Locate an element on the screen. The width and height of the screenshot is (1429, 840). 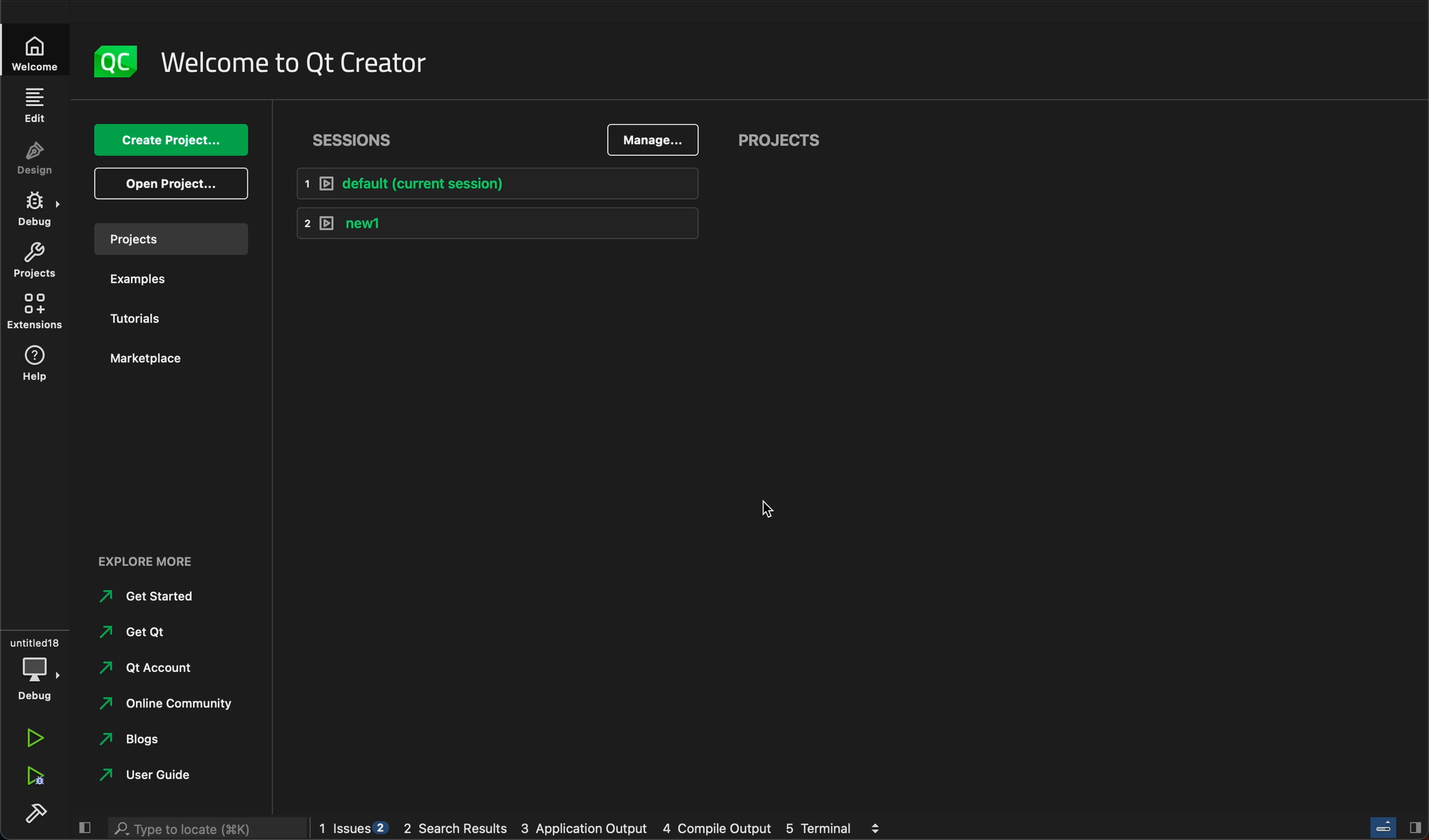
tutorials is located at coordinates (143, 320).